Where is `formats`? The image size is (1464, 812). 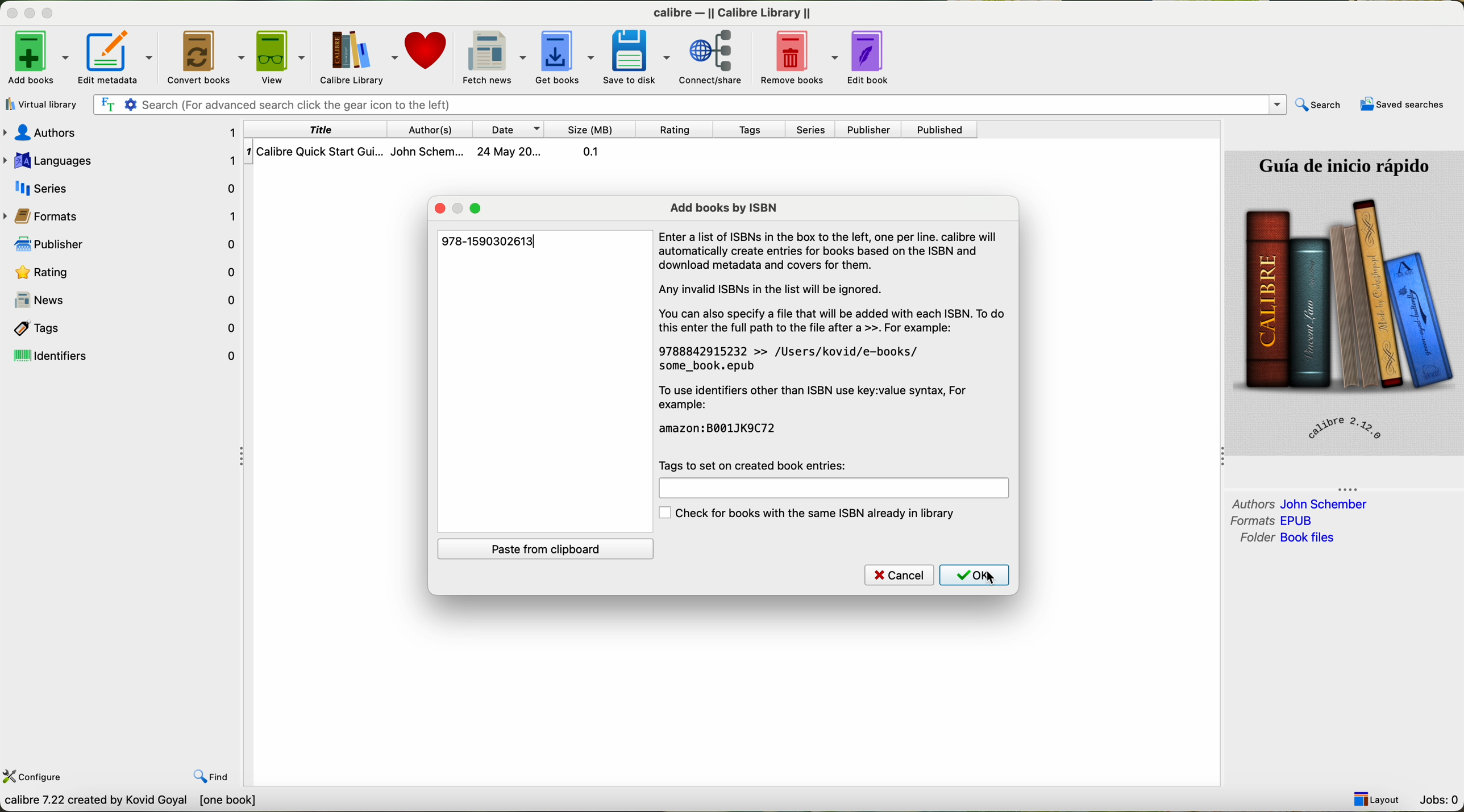 formats is located at coordinates (1275, 520).